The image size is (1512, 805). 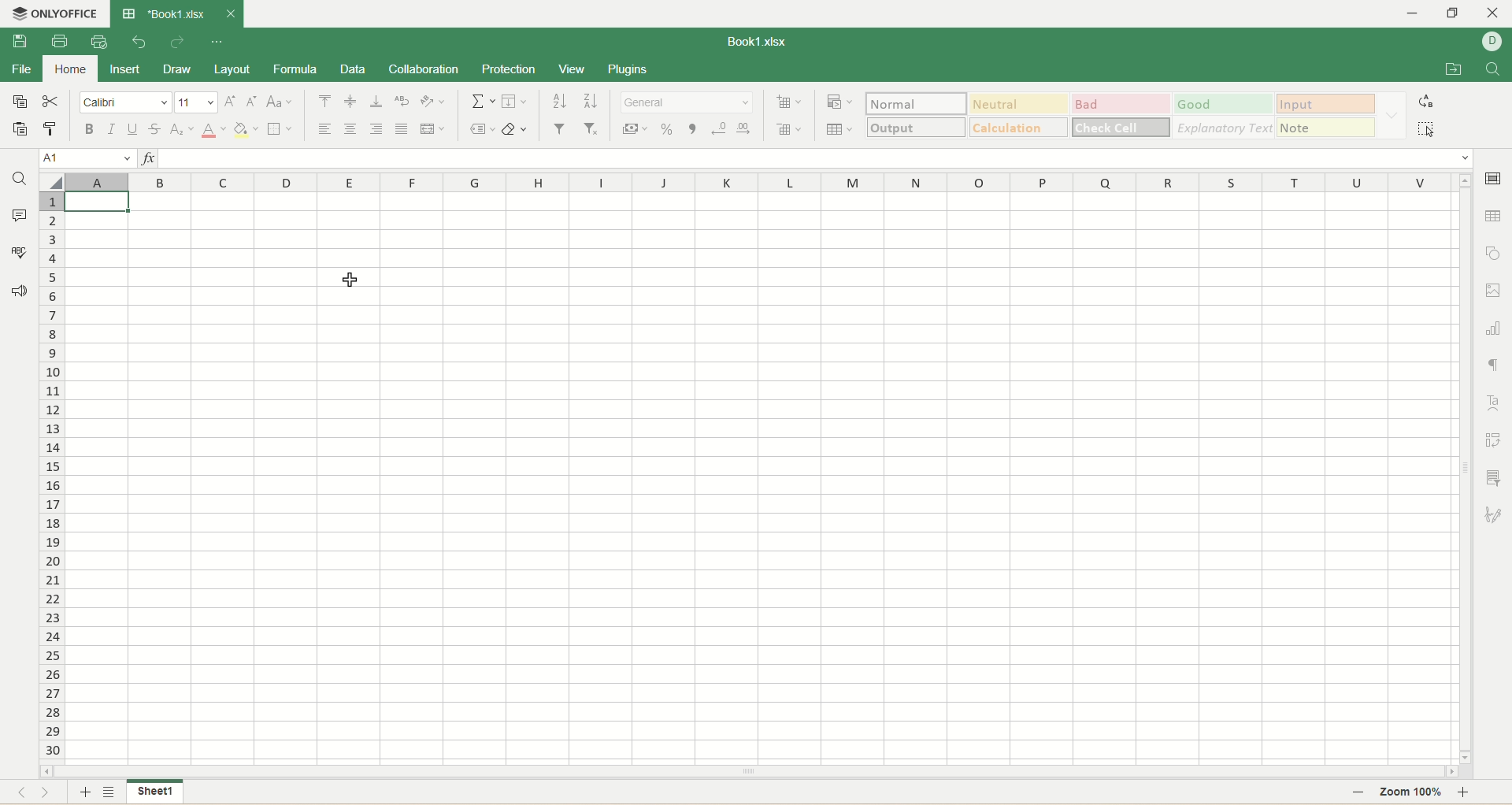 What do you see at coordinates (1359, 793) in the screenshot?
I see `zoom out` at bounding box center [1359, 793].